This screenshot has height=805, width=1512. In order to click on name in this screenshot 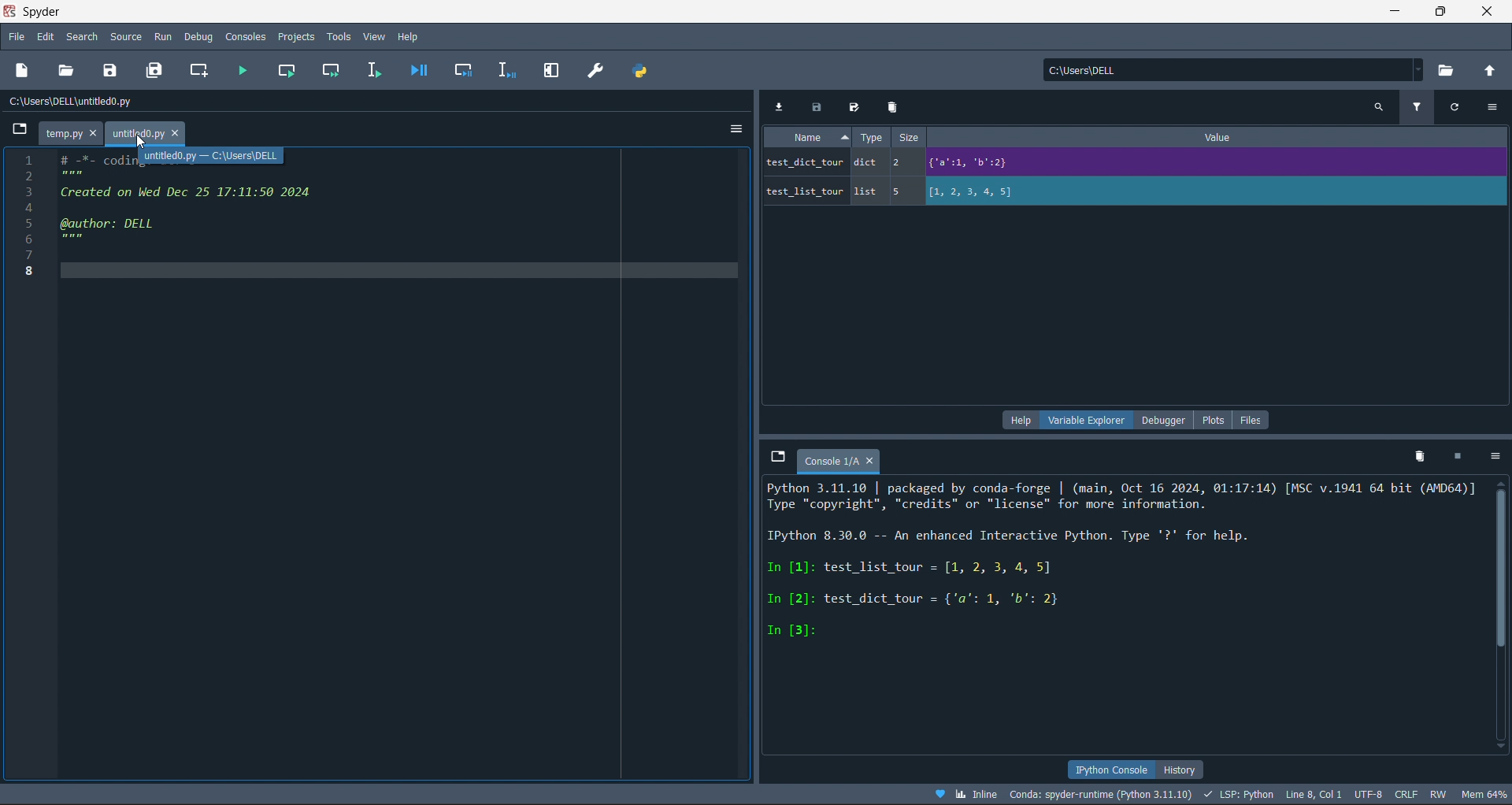, I will do `click(802, 139)`.